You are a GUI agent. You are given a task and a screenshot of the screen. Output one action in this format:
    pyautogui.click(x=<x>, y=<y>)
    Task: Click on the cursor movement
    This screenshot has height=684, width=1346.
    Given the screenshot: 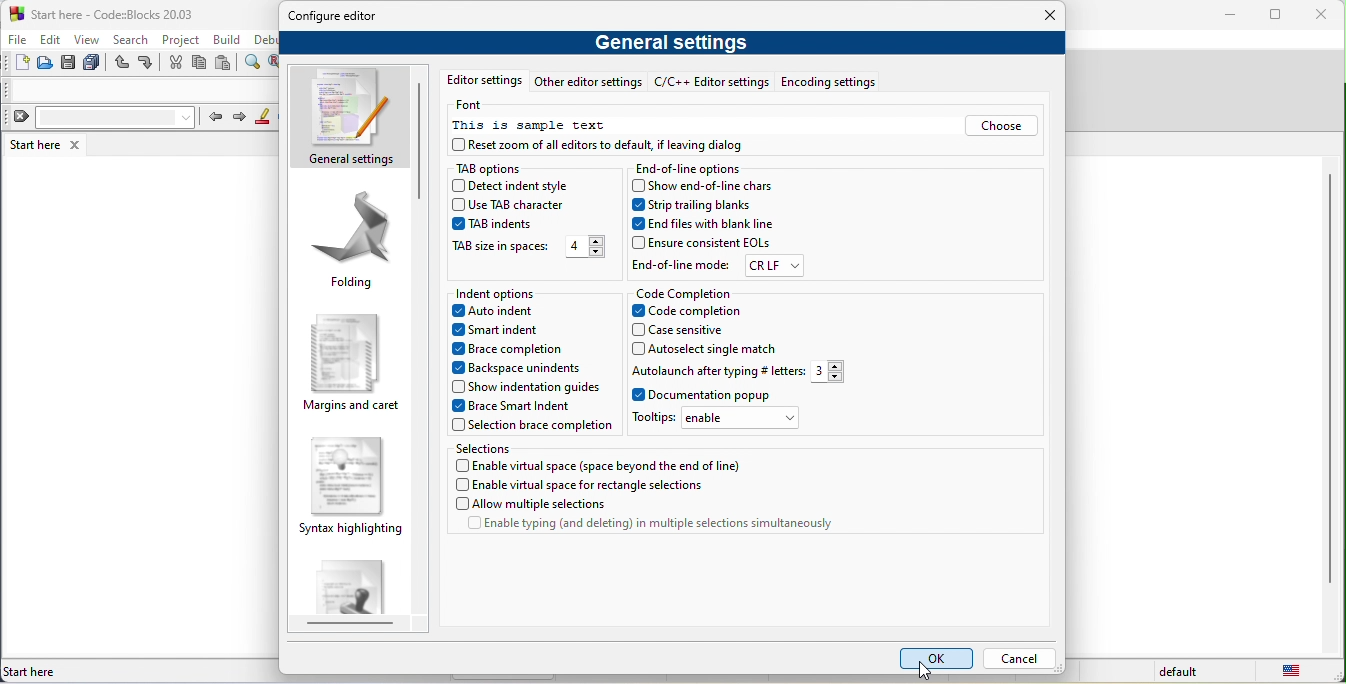 What is the action you would take?
    pyautogui.click(x=930, y=673)
    